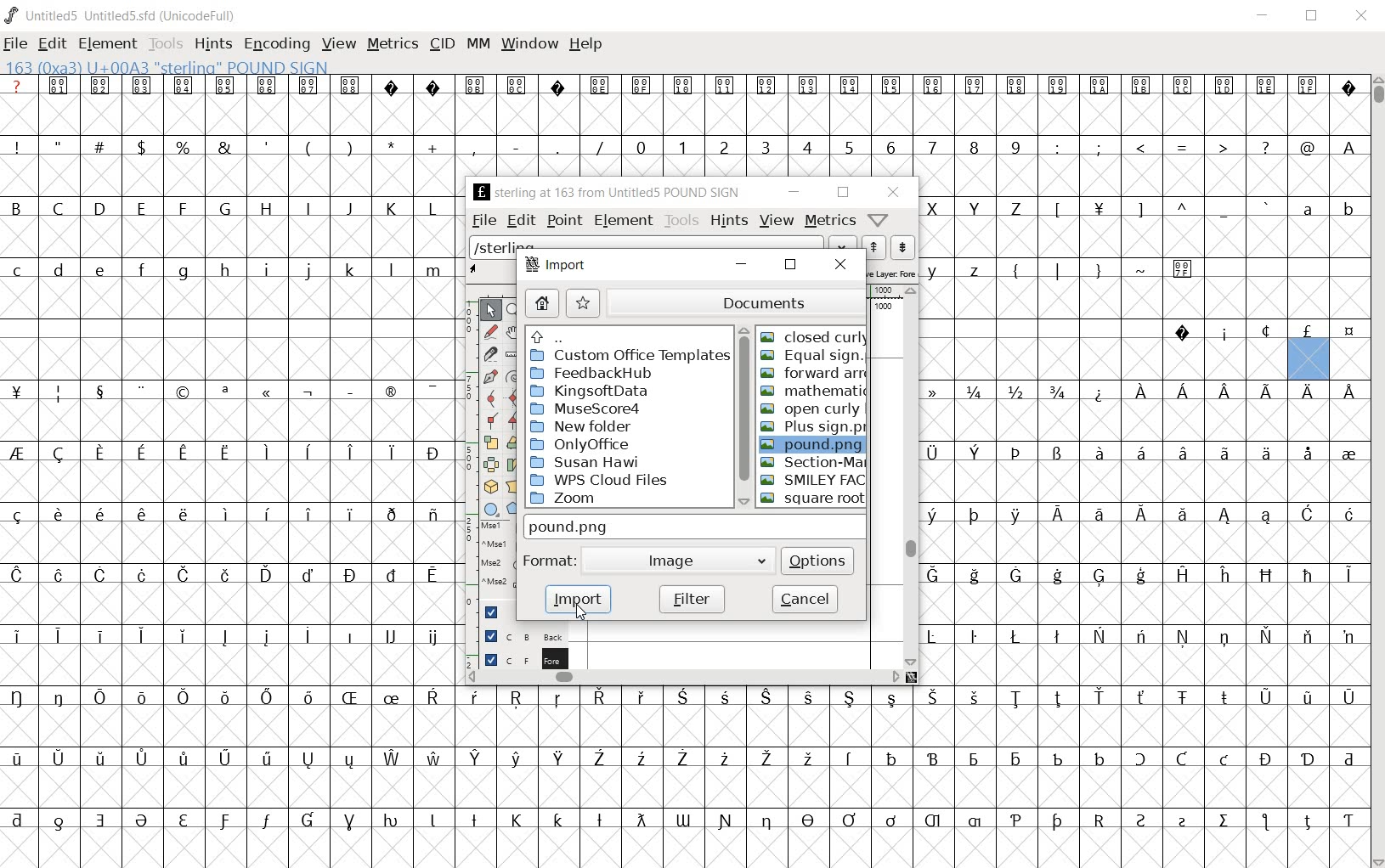 This screenshot has width=1385, height=868. Describe the element at coordinates (1310, 17) in the screenshot. I see `maximize` at that location.